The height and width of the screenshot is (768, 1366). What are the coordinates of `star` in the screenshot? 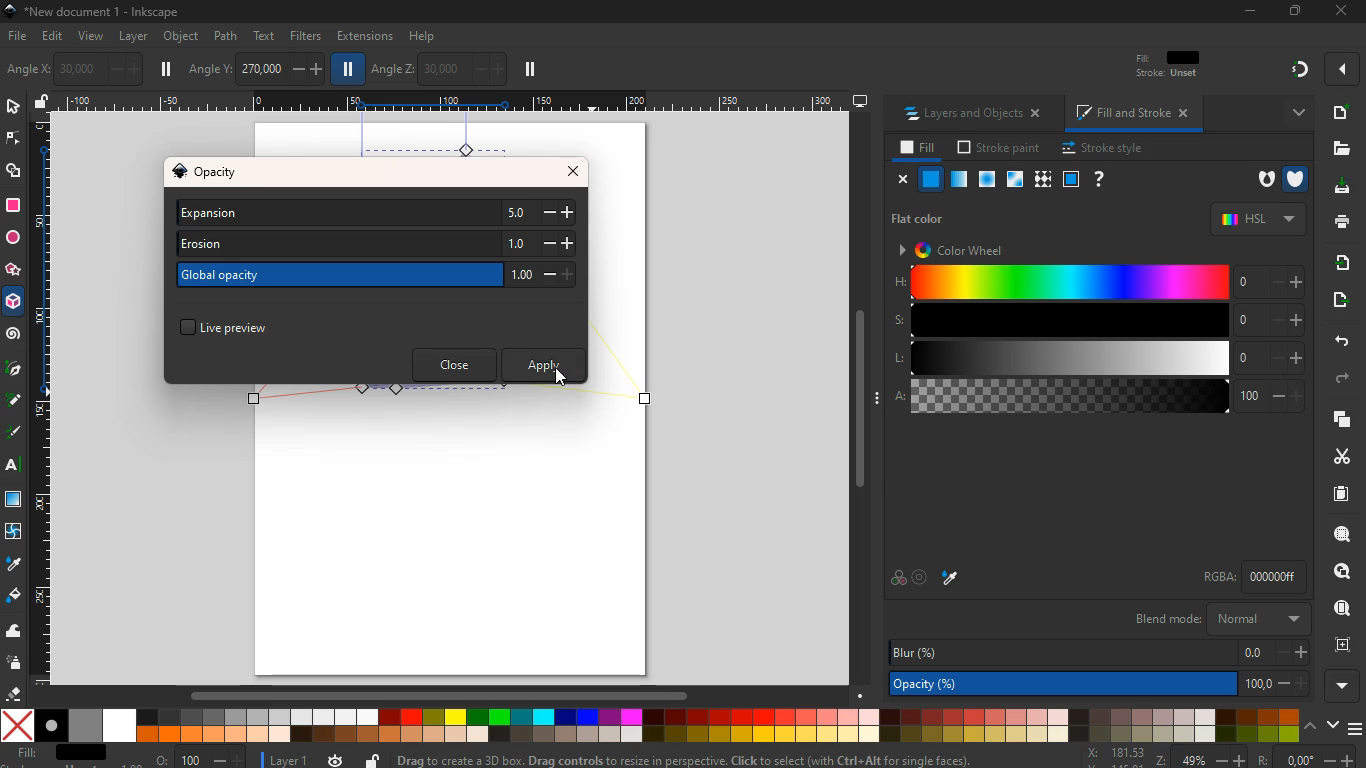 It's located at (14, 271).